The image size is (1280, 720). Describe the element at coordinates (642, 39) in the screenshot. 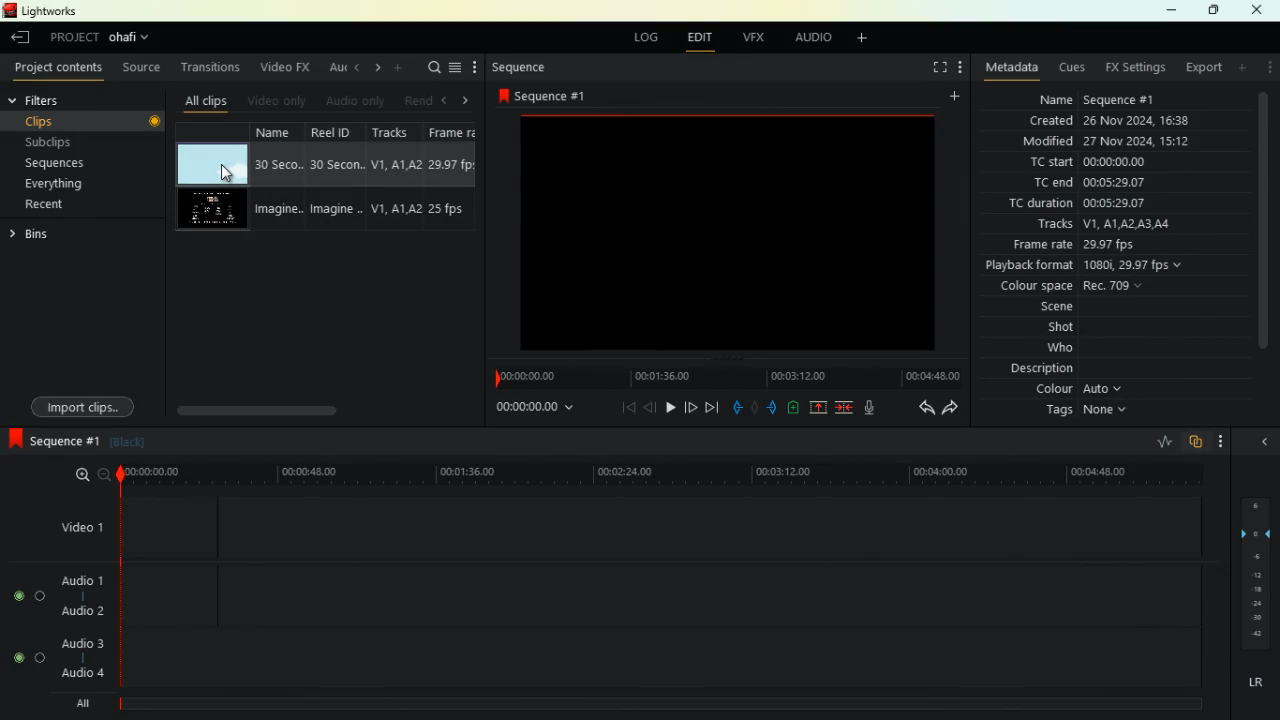

I see `log` at that location.